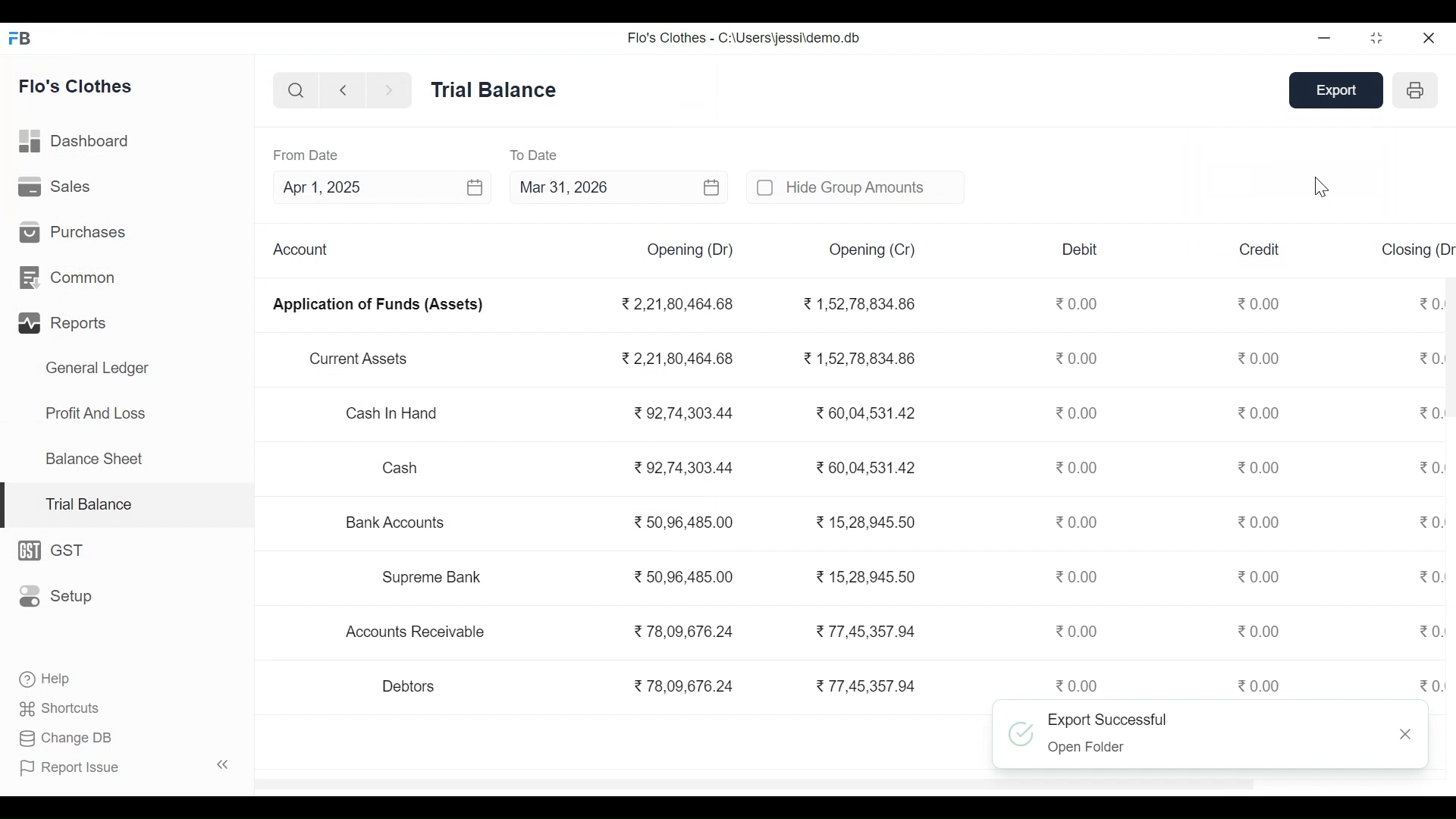 The image size is (1456, 819). I want to click on Reparts, so click(66, 322).